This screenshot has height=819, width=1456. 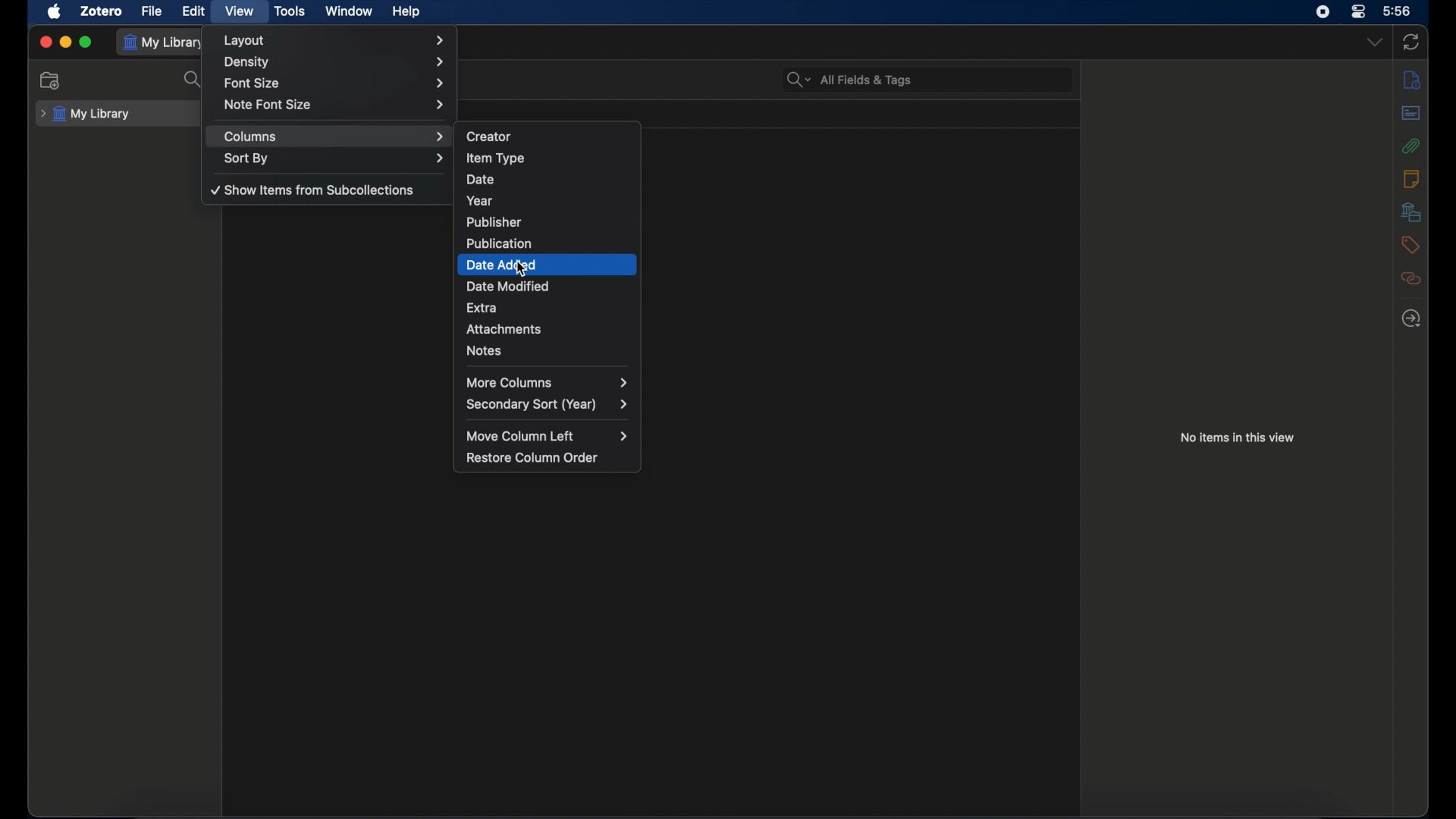 I want to click on date, so click(x=546, y=177).